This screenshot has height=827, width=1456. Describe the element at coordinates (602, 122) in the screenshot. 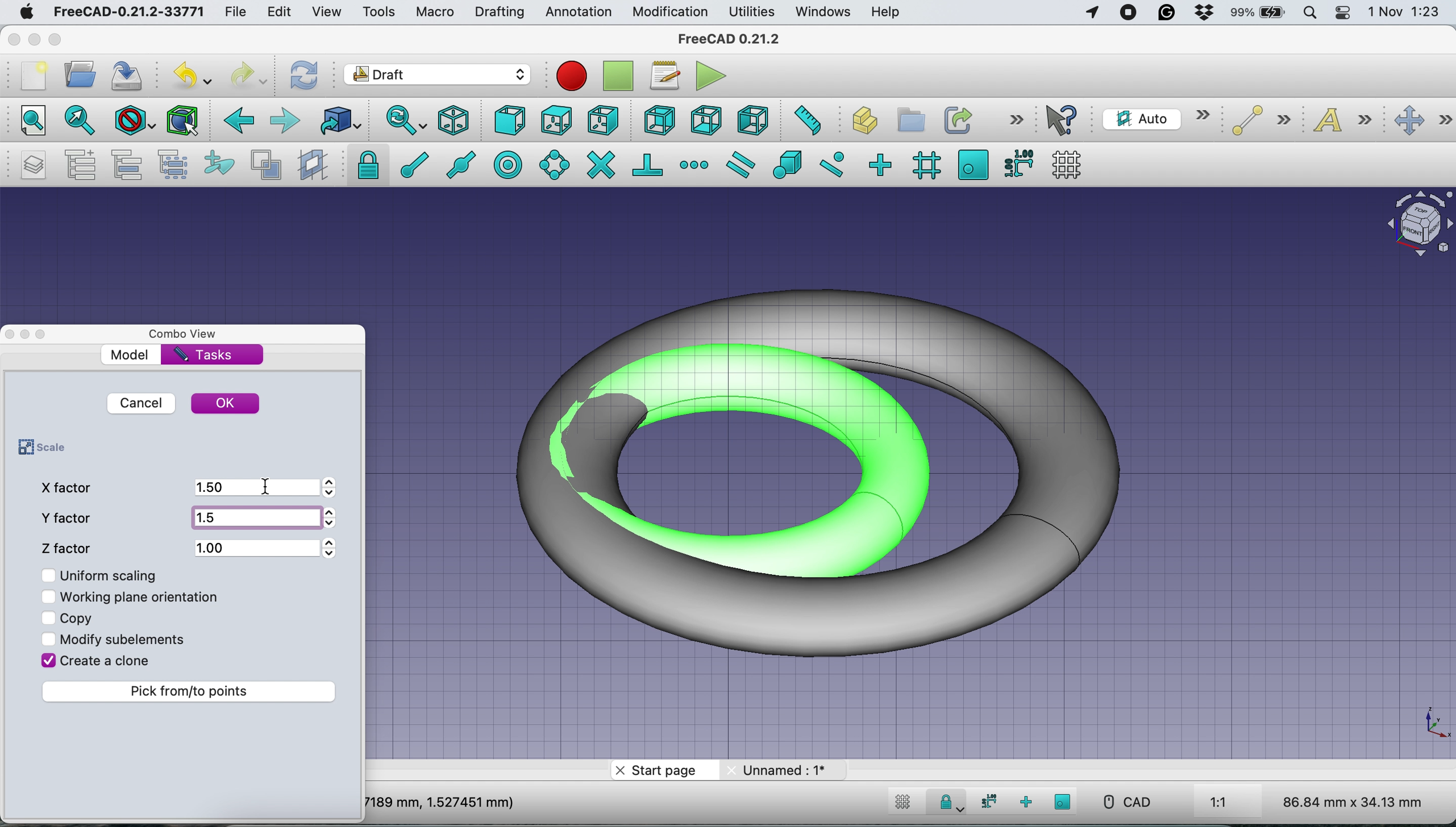

I see `right` at that location.